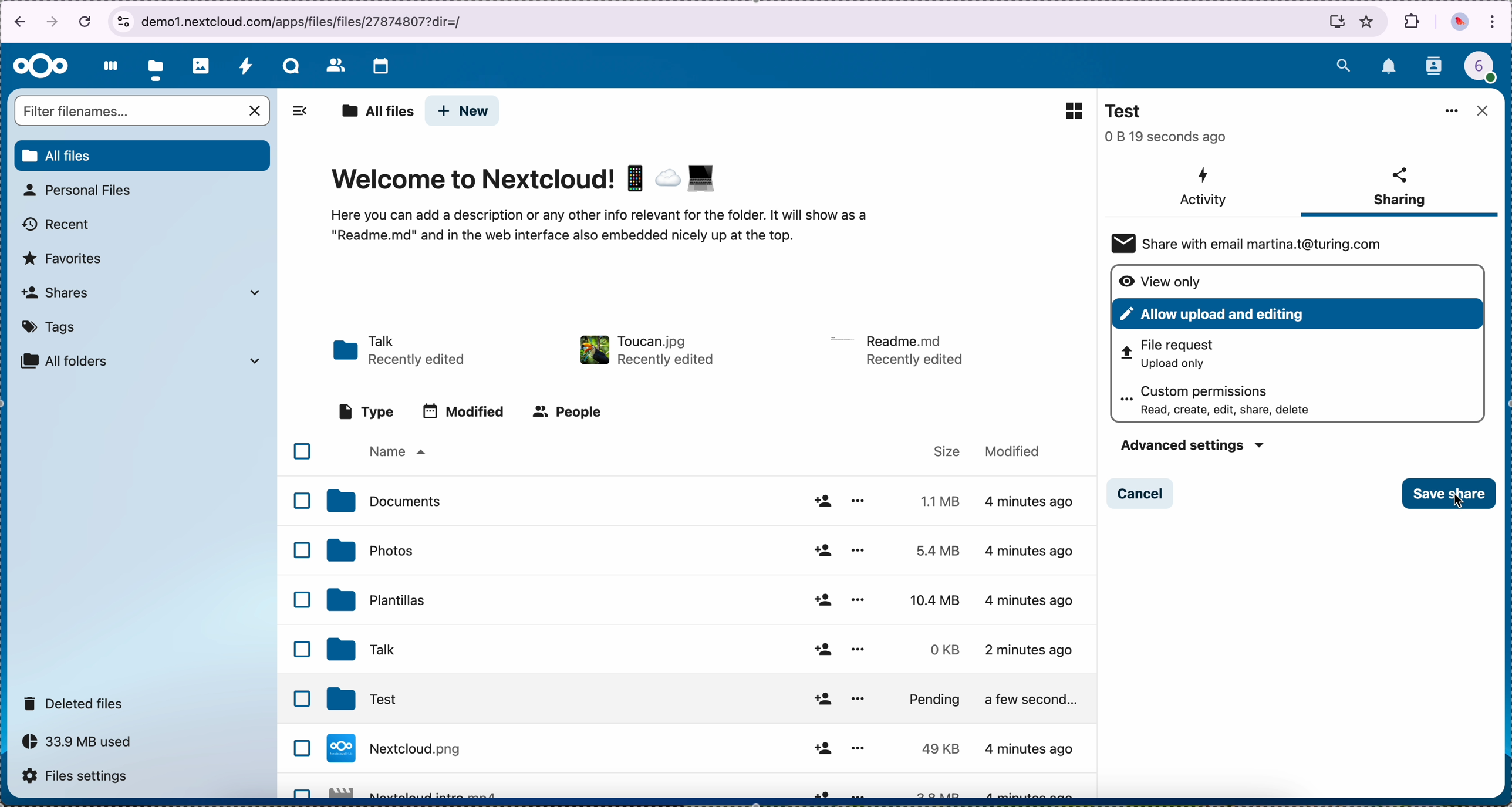 Image resolution: width=1512 pixels, height=807 pixels. Describe the element at coordinates (1435, 67) in the screenshot. I see `contacts` at that location.